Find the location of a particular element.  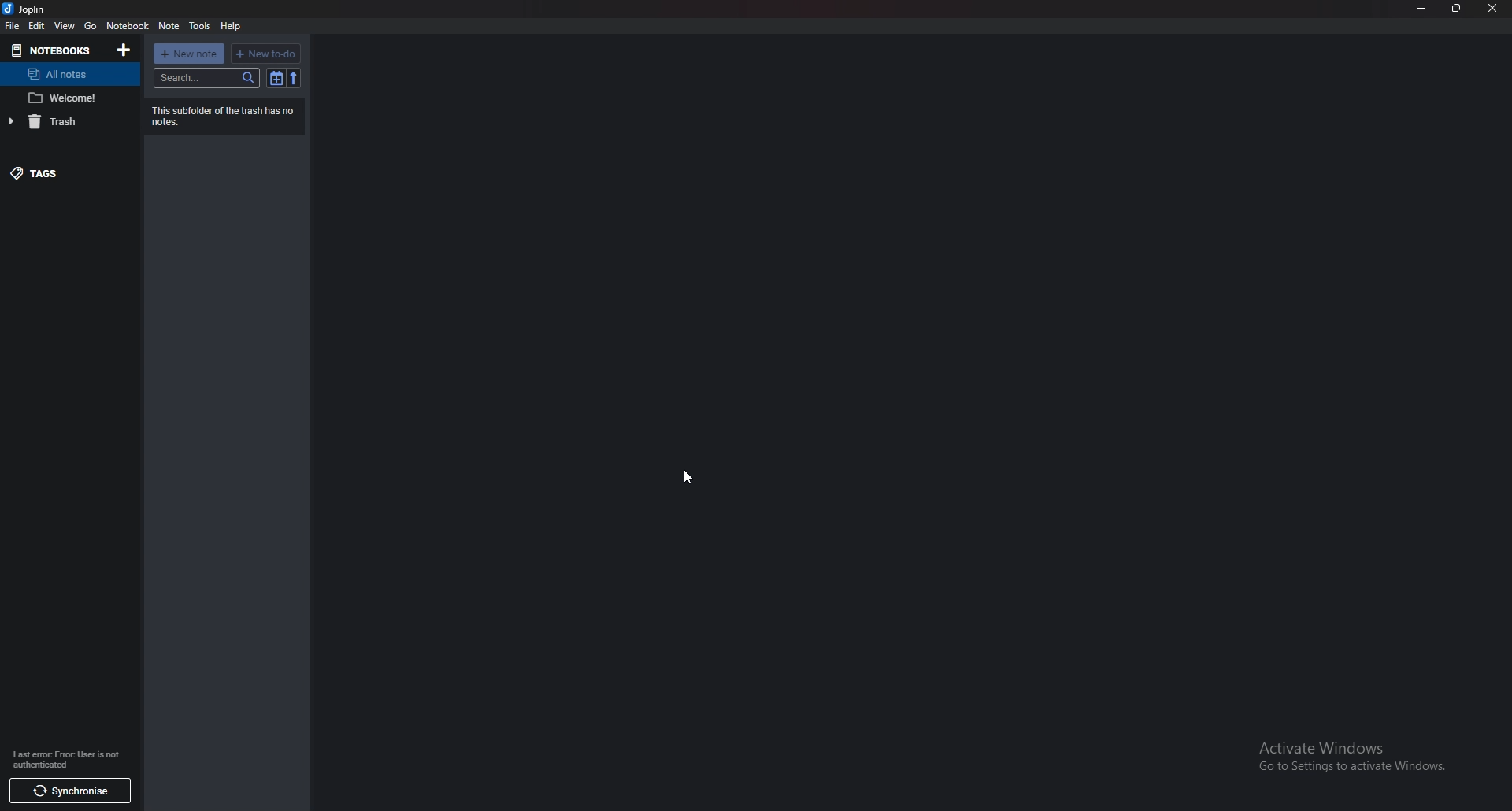

Notebooks is located at coordinates (52, 50).